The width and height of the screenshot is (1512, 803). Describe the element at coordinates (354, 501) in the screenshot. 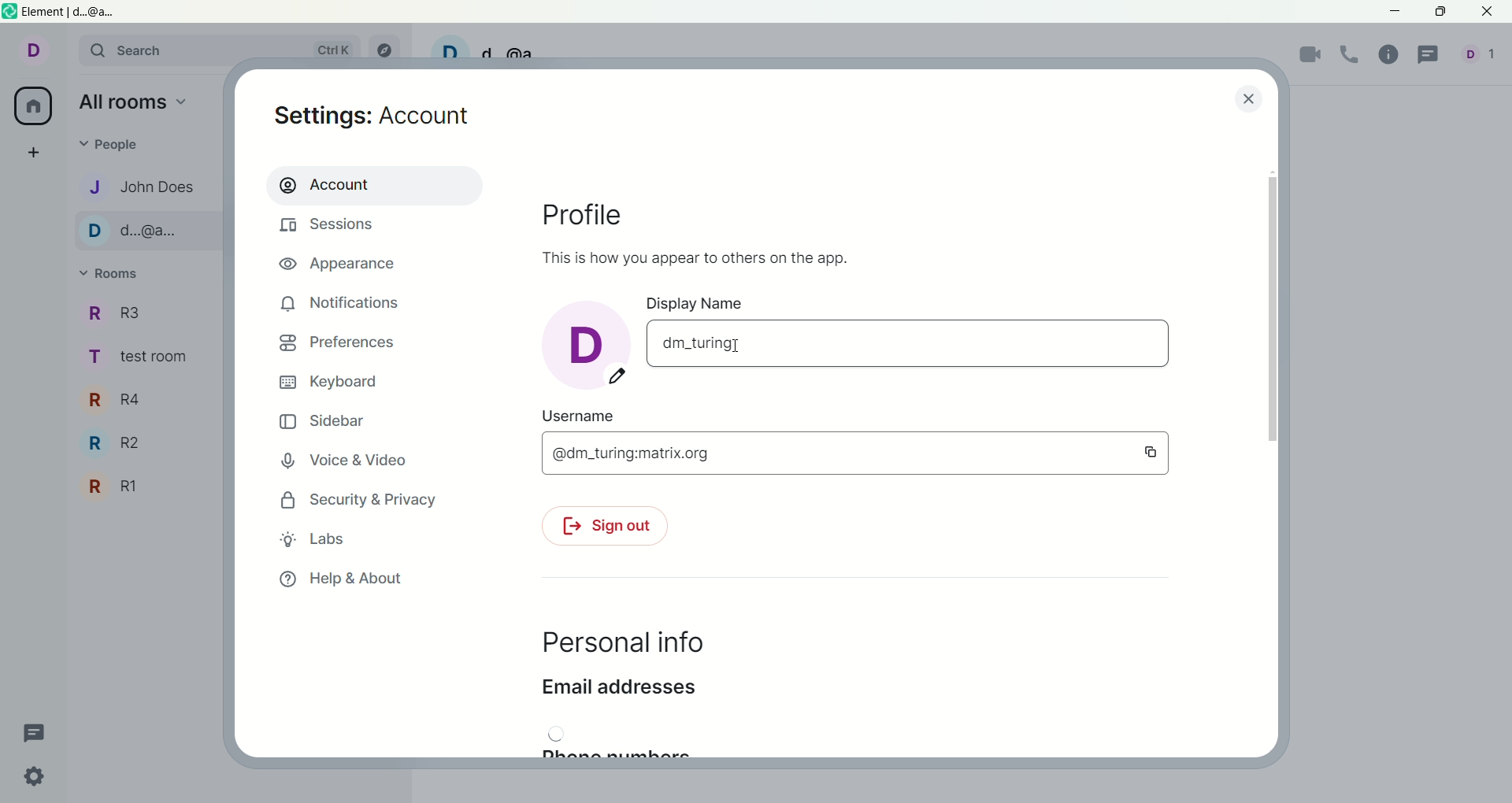

I see `security and privacy` at that location.